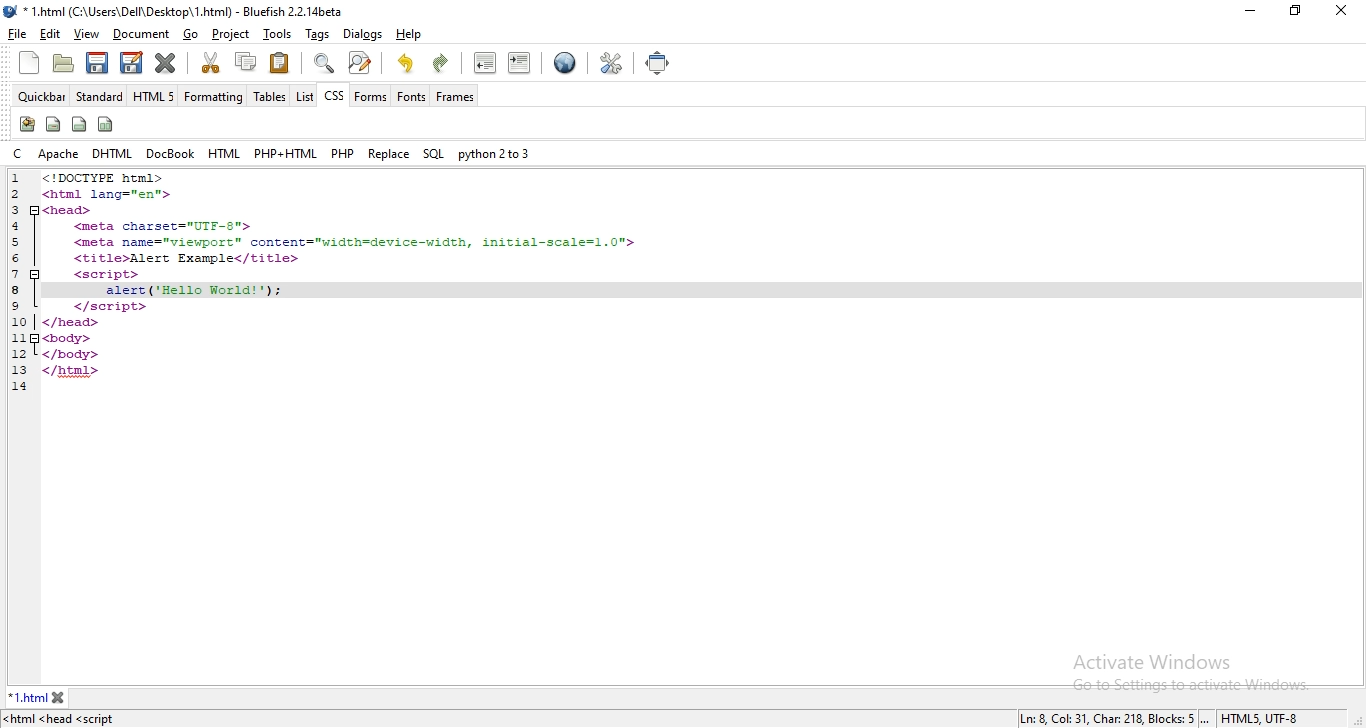 The width and height of the screenshot is (1366, 728). Describe the element at coordinates (610, 63) in the screenshot. I see `tools` at that location.